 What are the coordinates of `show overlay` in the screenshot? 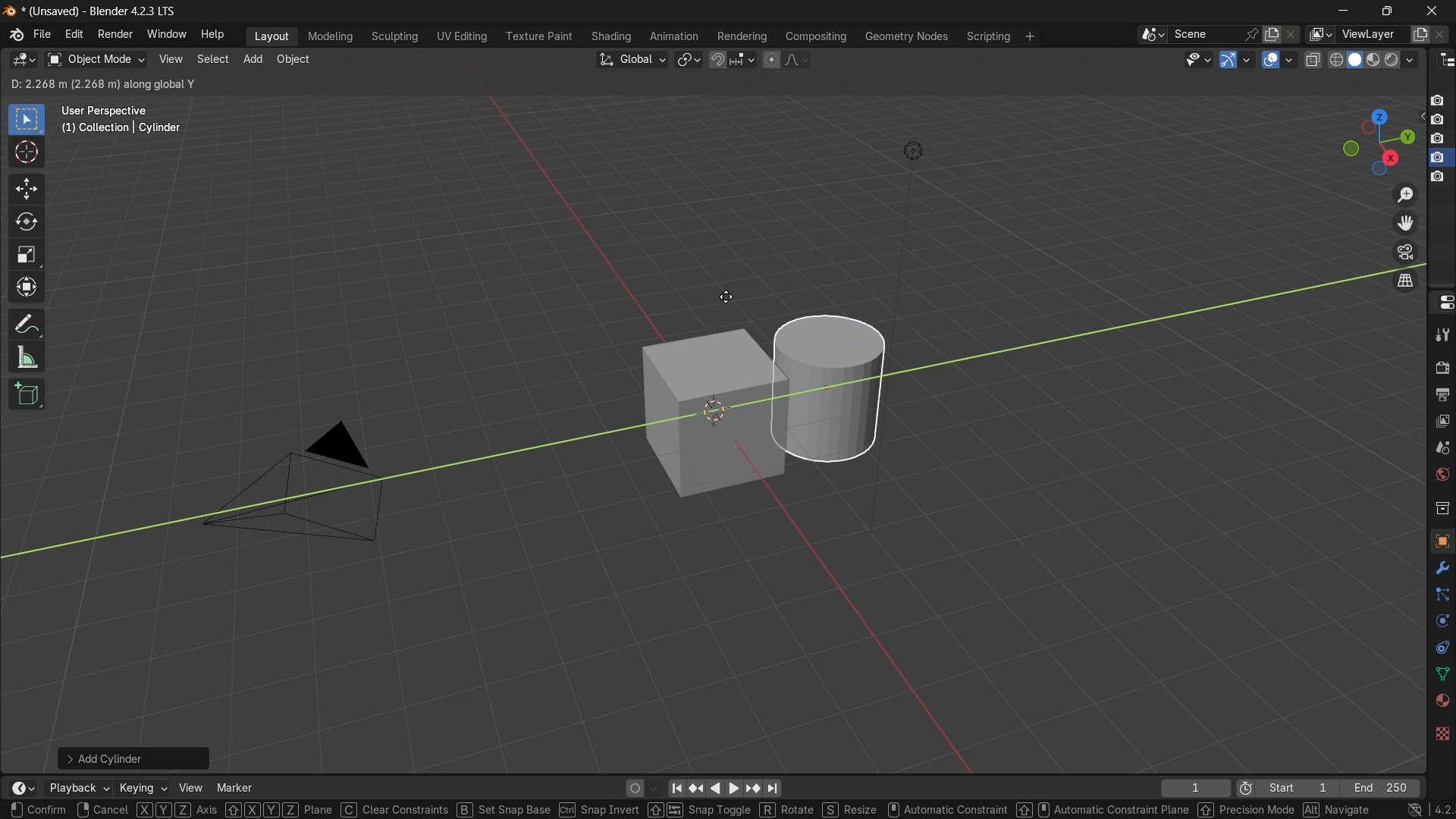 It's located at (1272, 60).